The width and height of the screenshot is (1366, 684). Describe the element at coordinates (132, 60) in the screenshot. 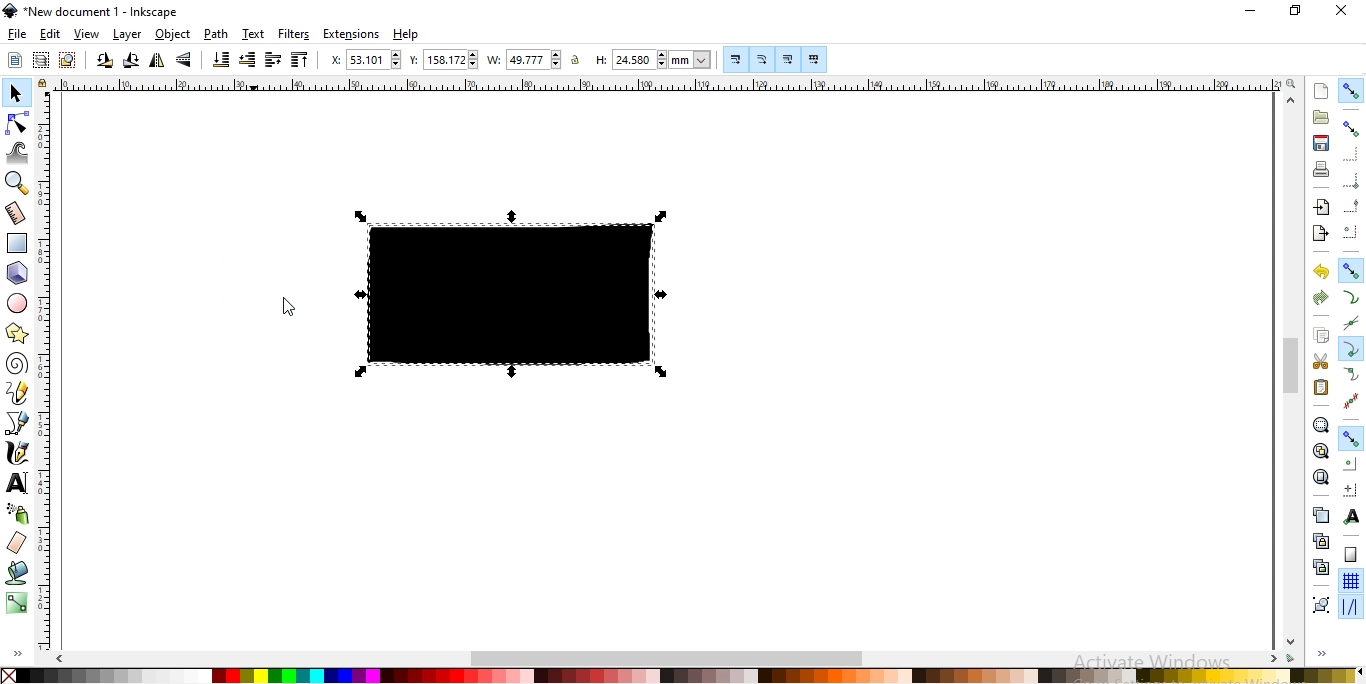

I see `rotation selection 90 clockwise` at that location.